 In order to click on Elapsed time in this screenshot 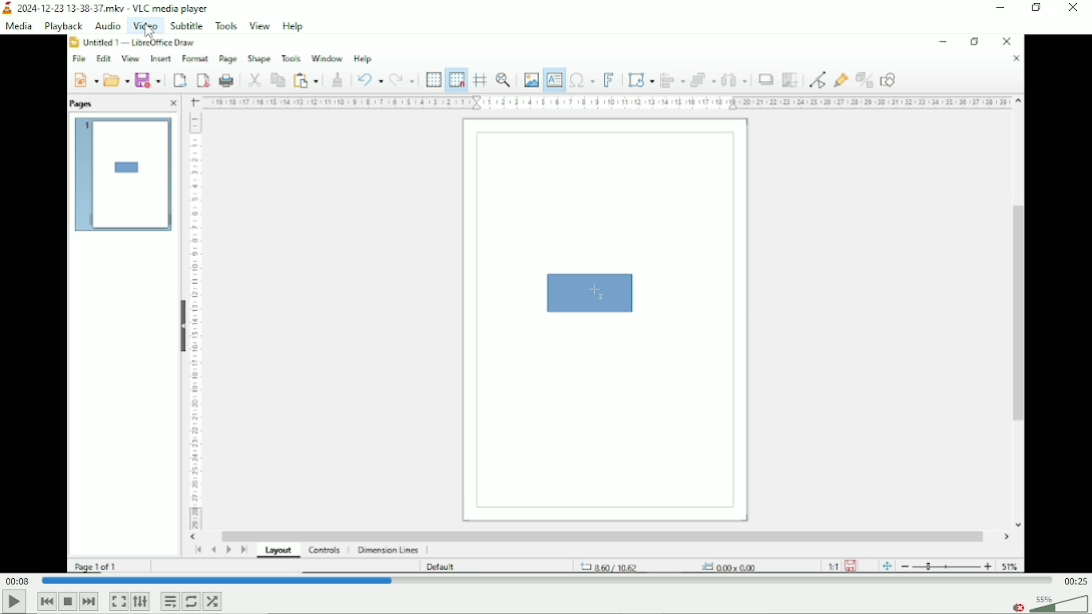, I will do `click(16, 581)`.